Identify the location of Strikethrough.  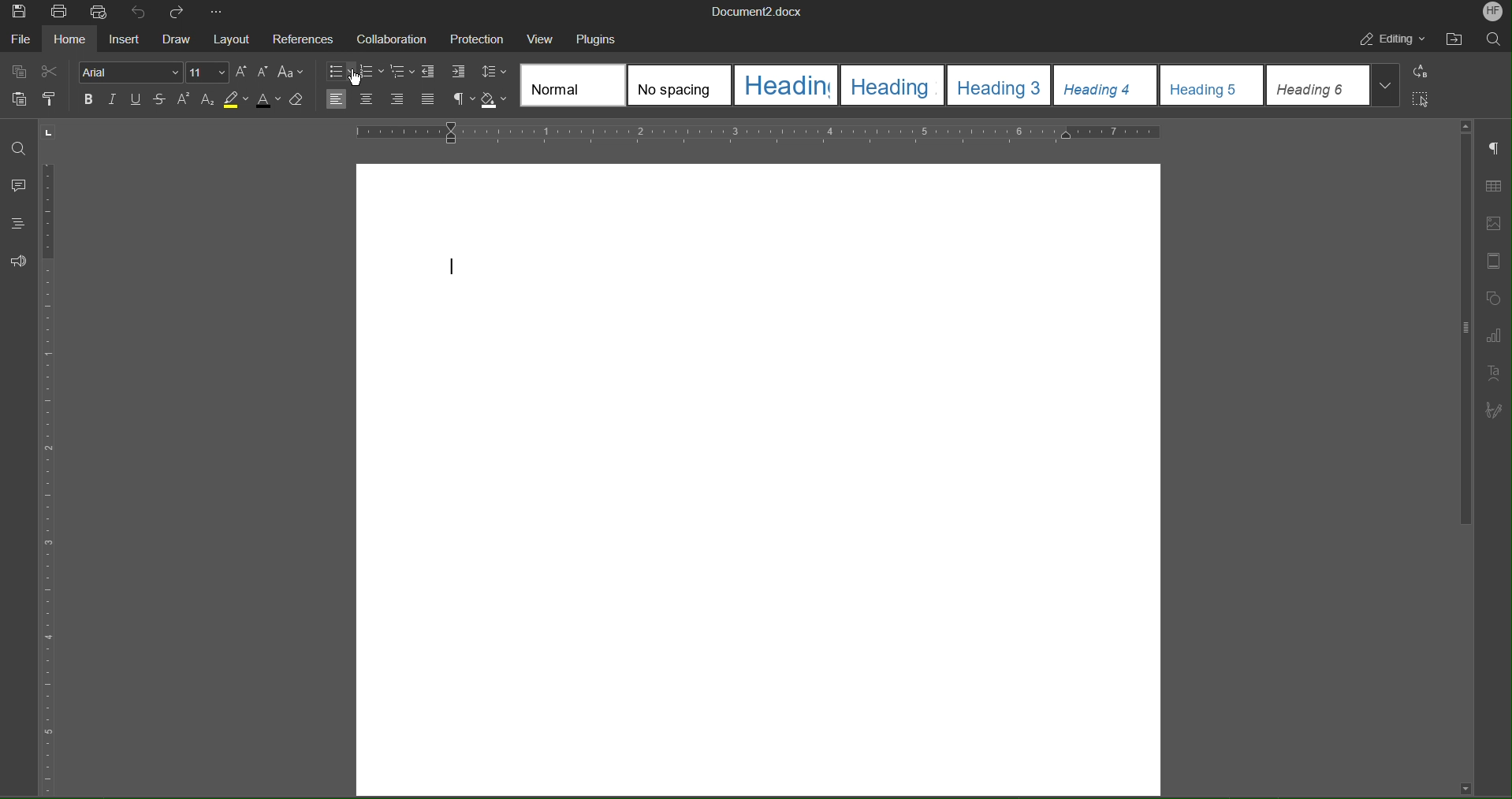
(165, 102).